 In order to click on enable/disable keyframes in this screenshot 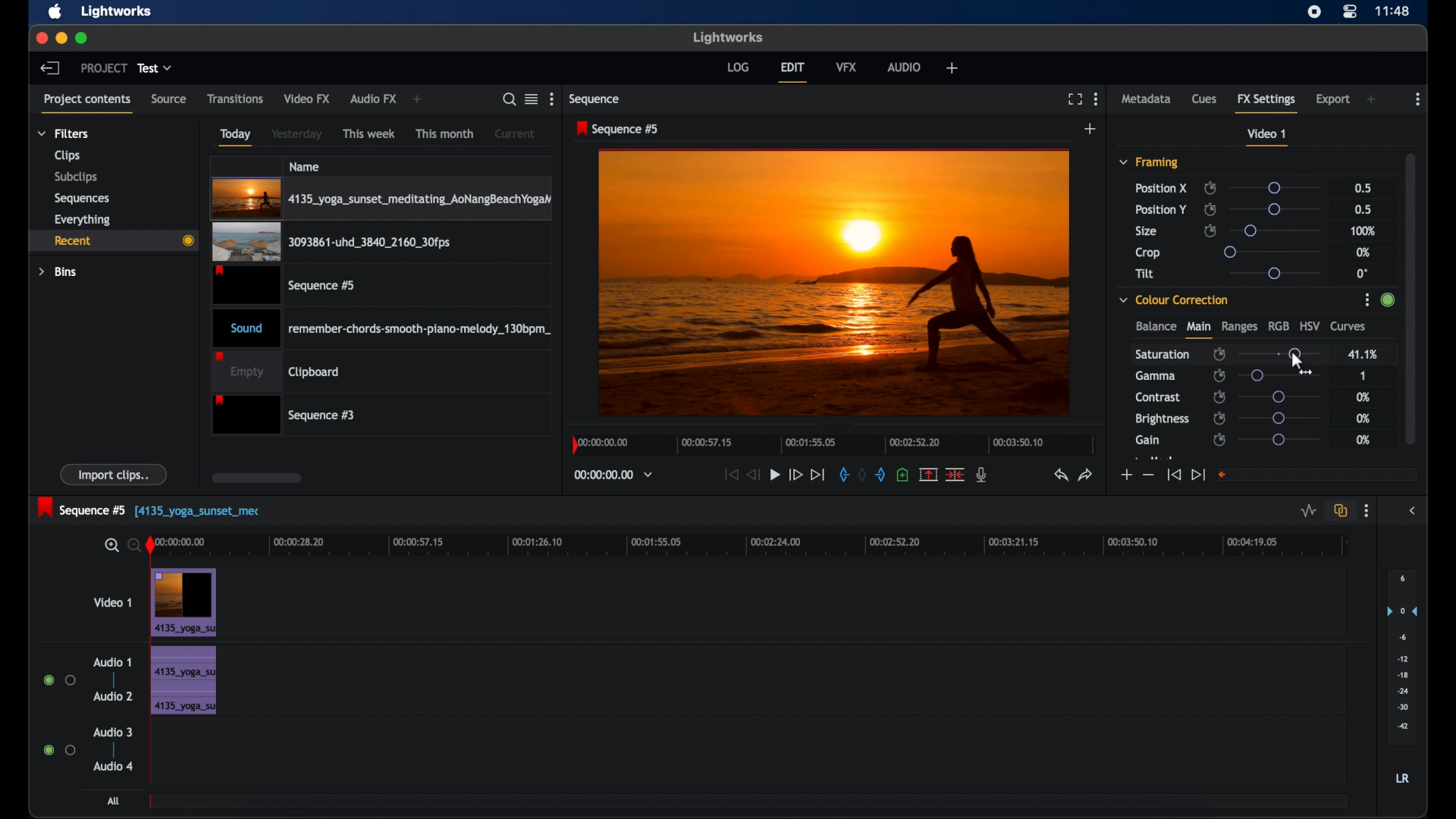, I will do `click(1210, 188)`.